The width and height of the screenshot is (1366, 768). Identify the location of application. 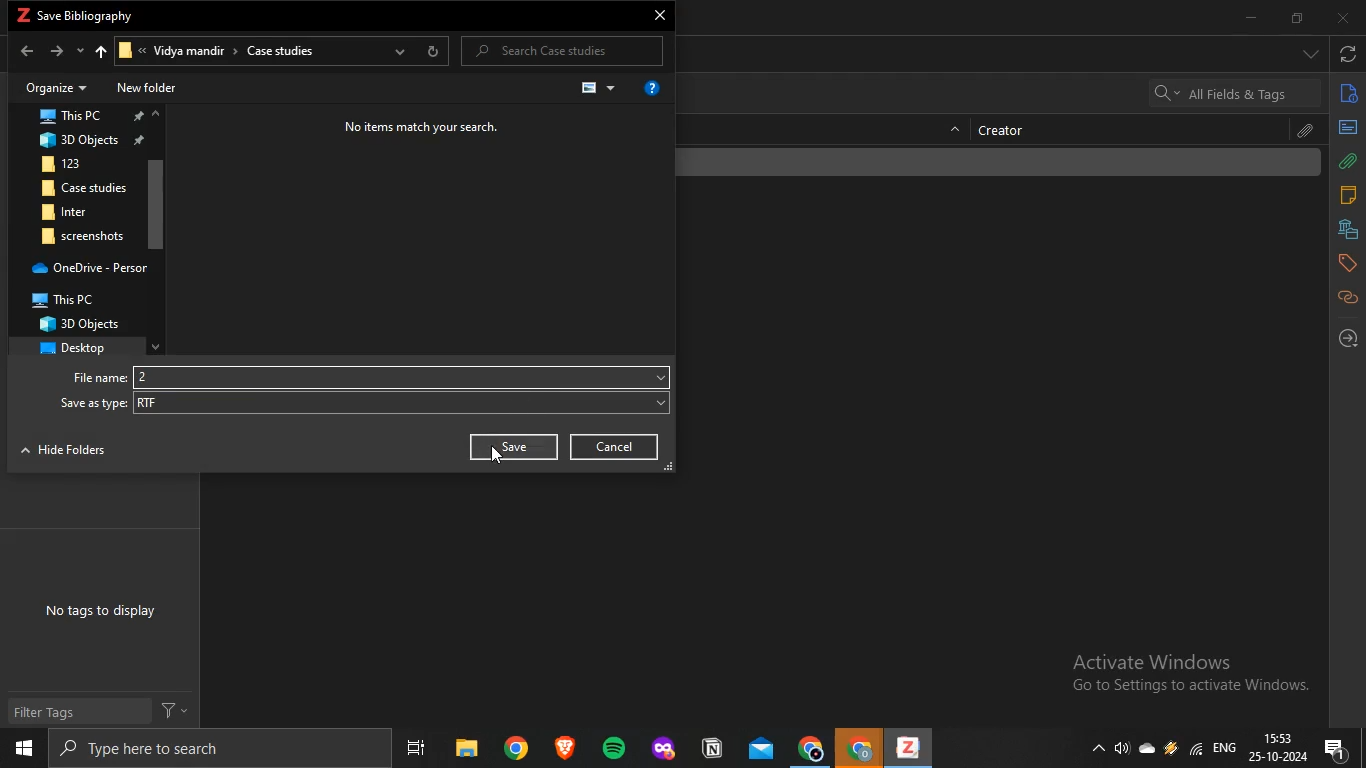
(715, 749).